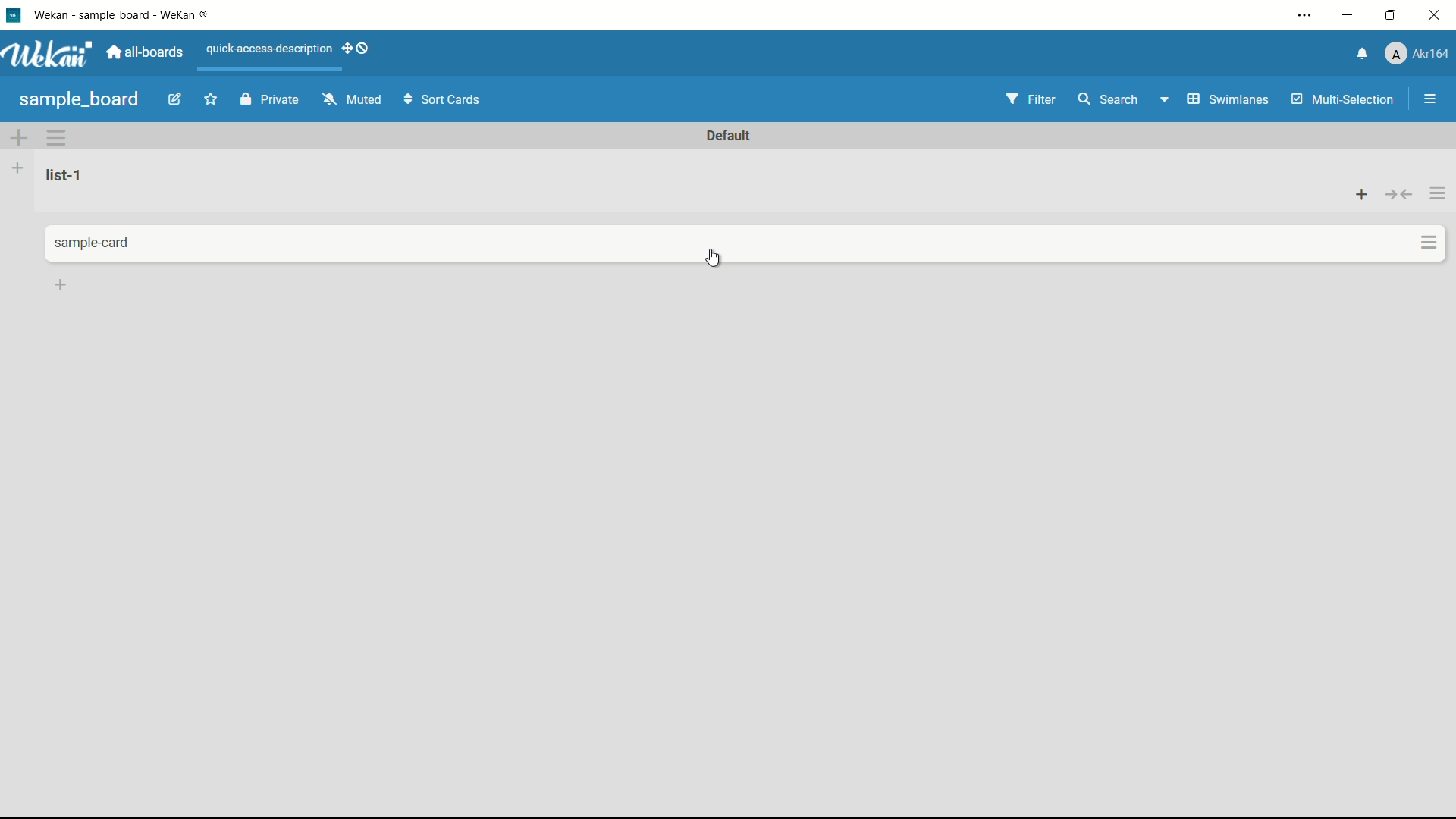  Describe the element at coordinates (175, 101) in the screenshot. I see `edit` at that location.